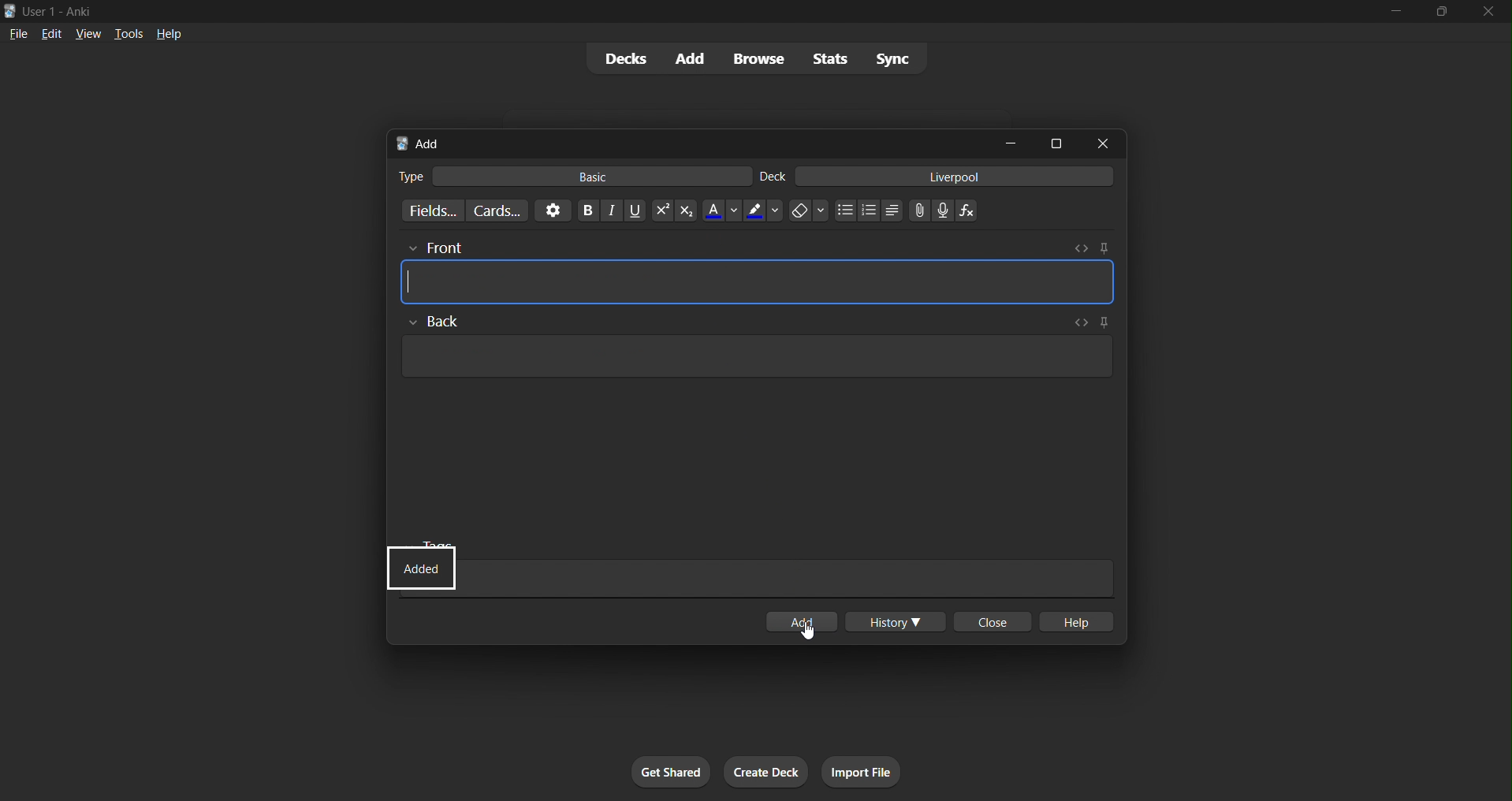 This screenshot has height=801, width=1512. What do you see at coordinates (417, 571) in the screenshot?
I see `Added` at bounding box center [417, 571].